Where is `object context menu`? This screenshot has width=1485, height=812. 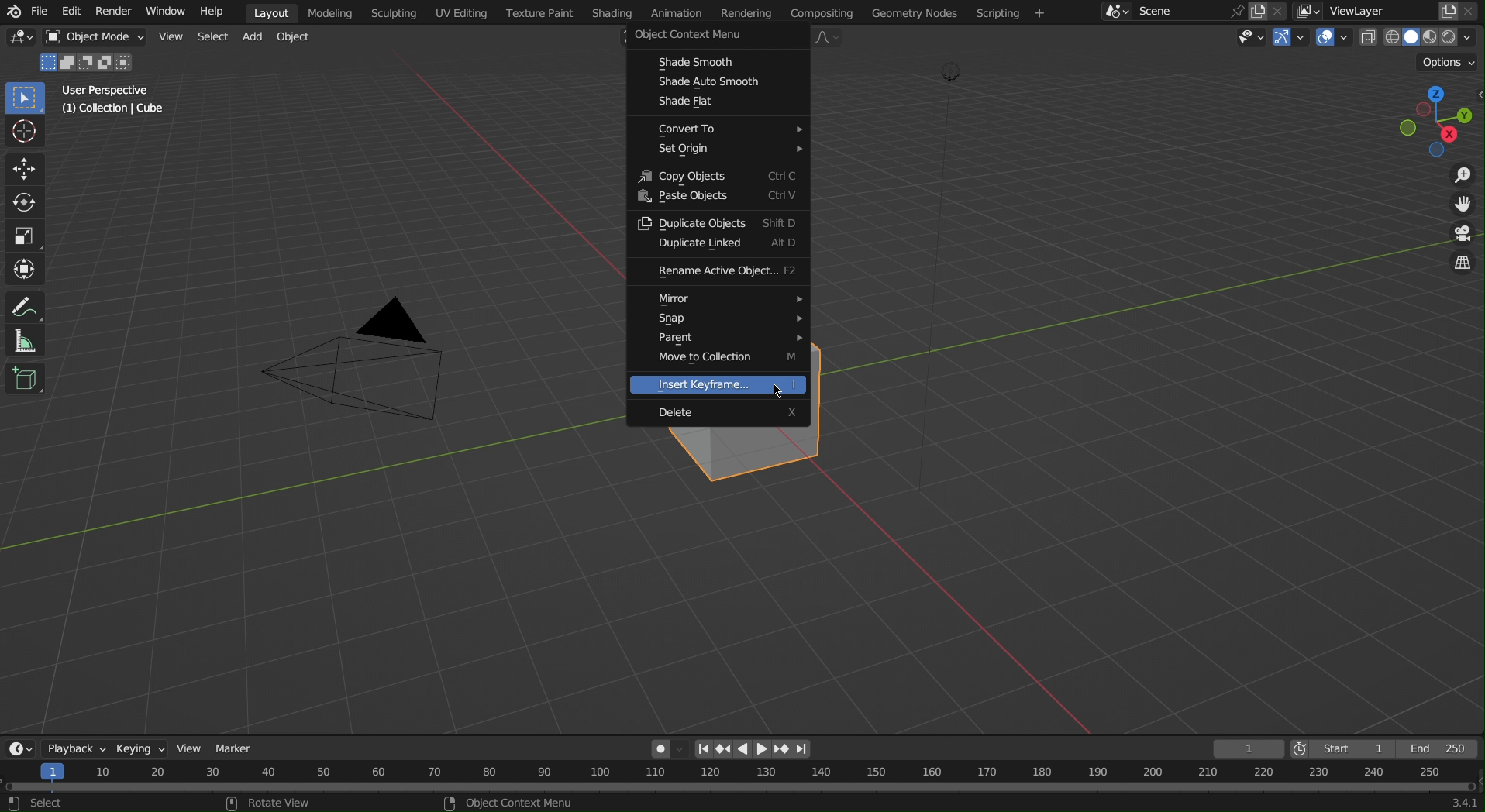
object context menu is located at coordinates (513, 802).